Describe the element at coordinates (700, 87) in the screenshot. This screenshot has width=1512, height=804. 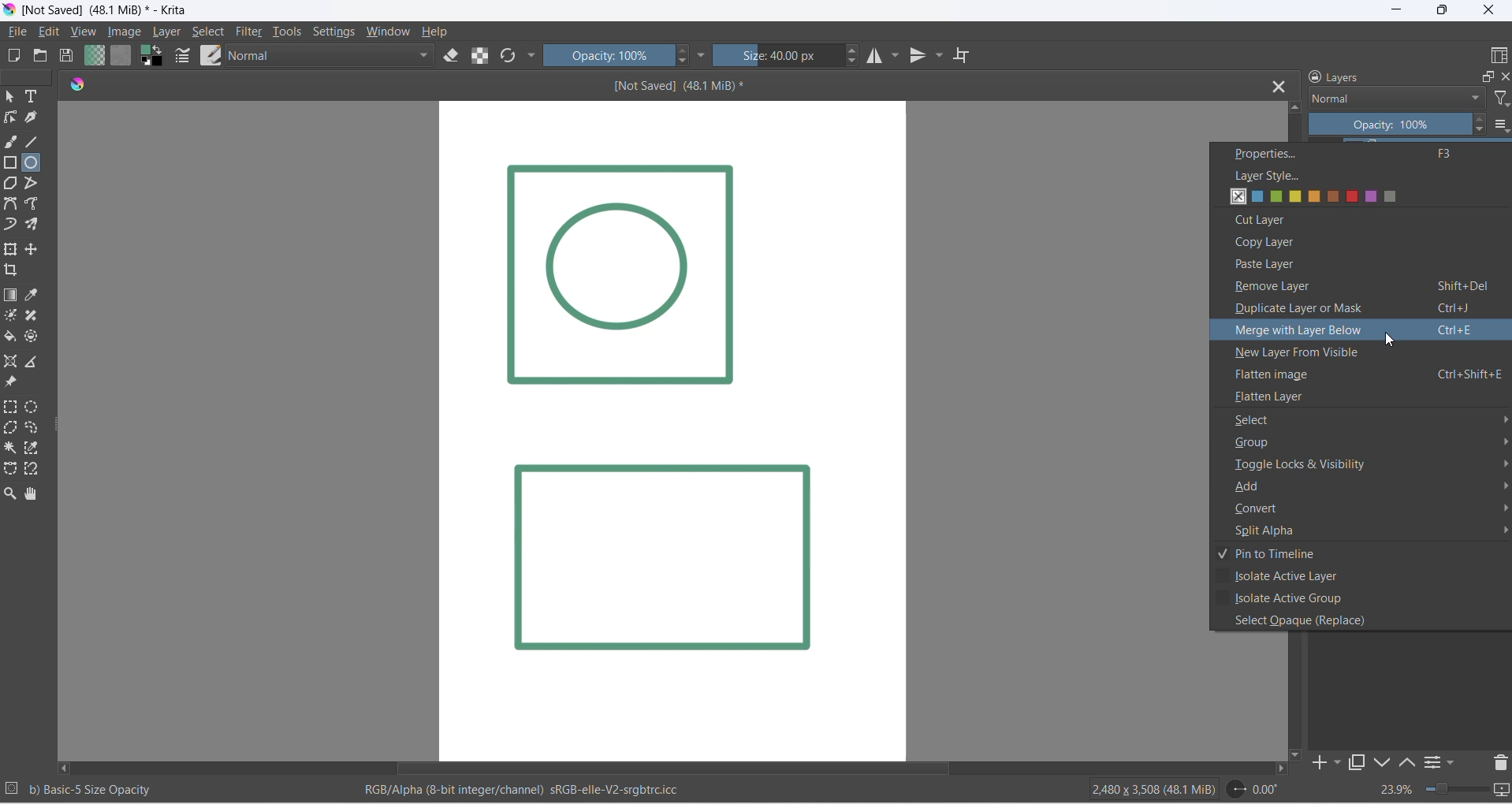
I see `[Not Saved] (48.1 MiB)*` at that location.